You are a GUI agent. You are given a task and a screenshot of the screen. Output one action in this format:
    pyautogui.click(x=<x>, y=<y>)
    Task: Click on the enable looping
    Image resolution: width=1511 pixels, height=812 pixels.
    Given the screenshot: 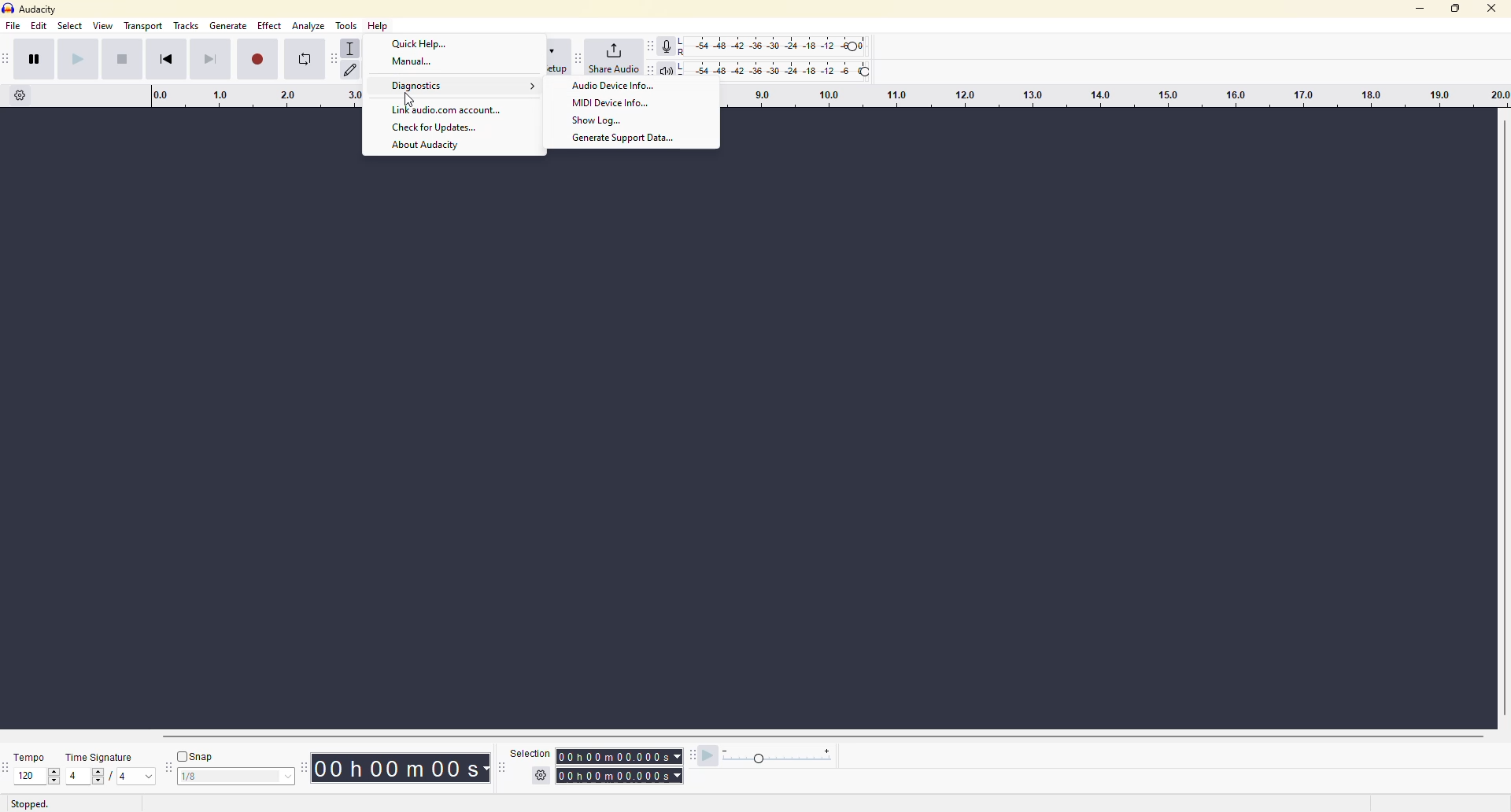 What is the action you would take?
    pyautogui.click(x=305, y=62)
    